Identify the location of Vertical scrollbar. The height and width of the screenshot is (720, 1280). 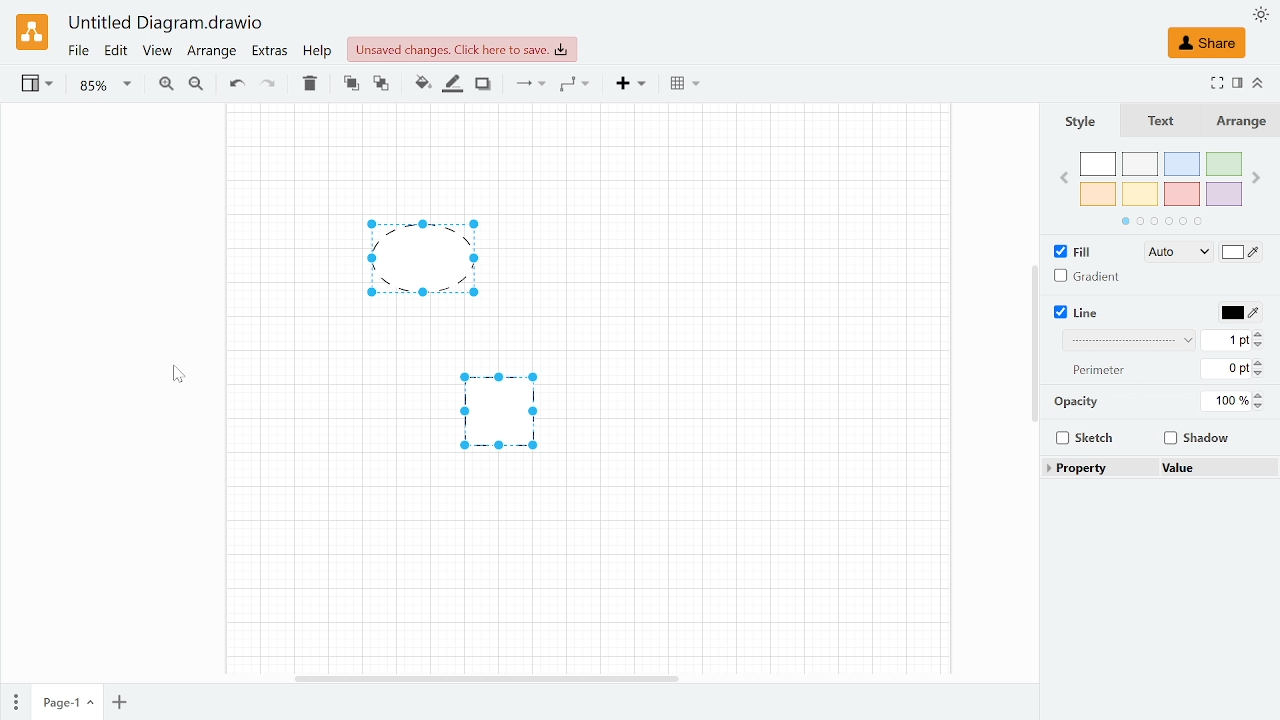
(1034, 343).